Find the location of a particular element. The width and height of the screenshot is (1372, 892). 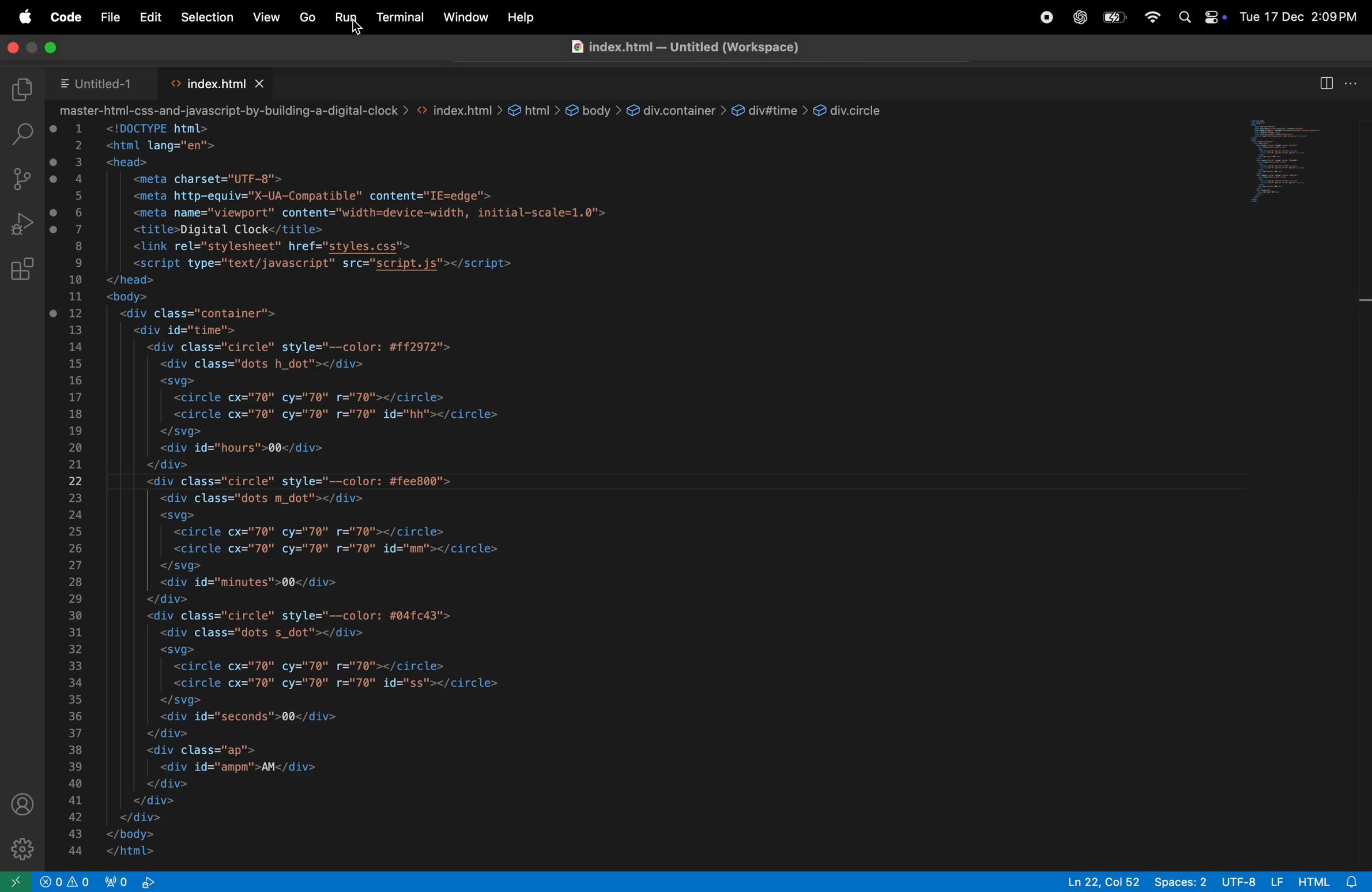

Go is located at coordinates (307, 18).